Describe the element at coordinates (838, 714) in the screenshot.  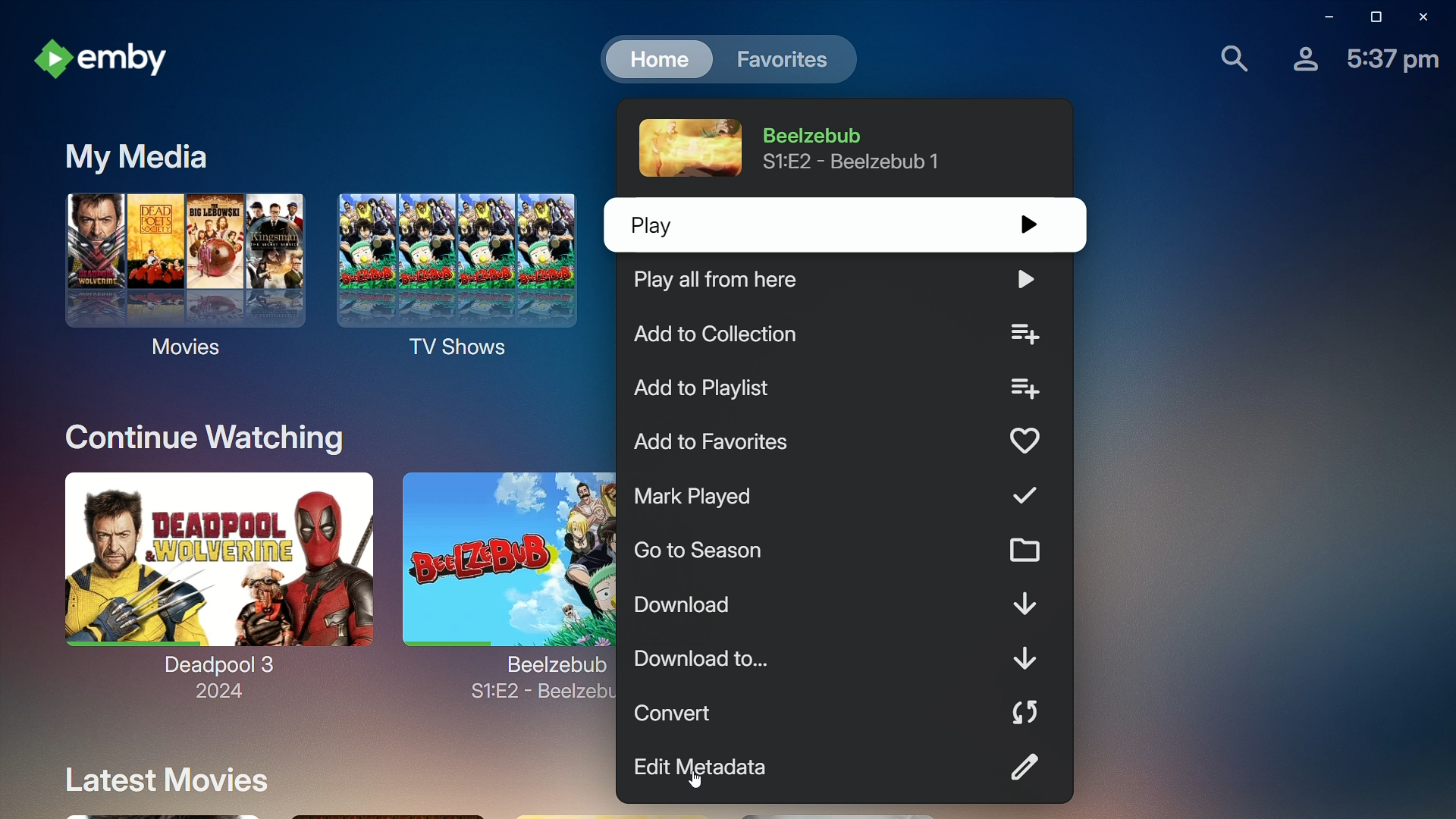
I see `Convert` at that location.